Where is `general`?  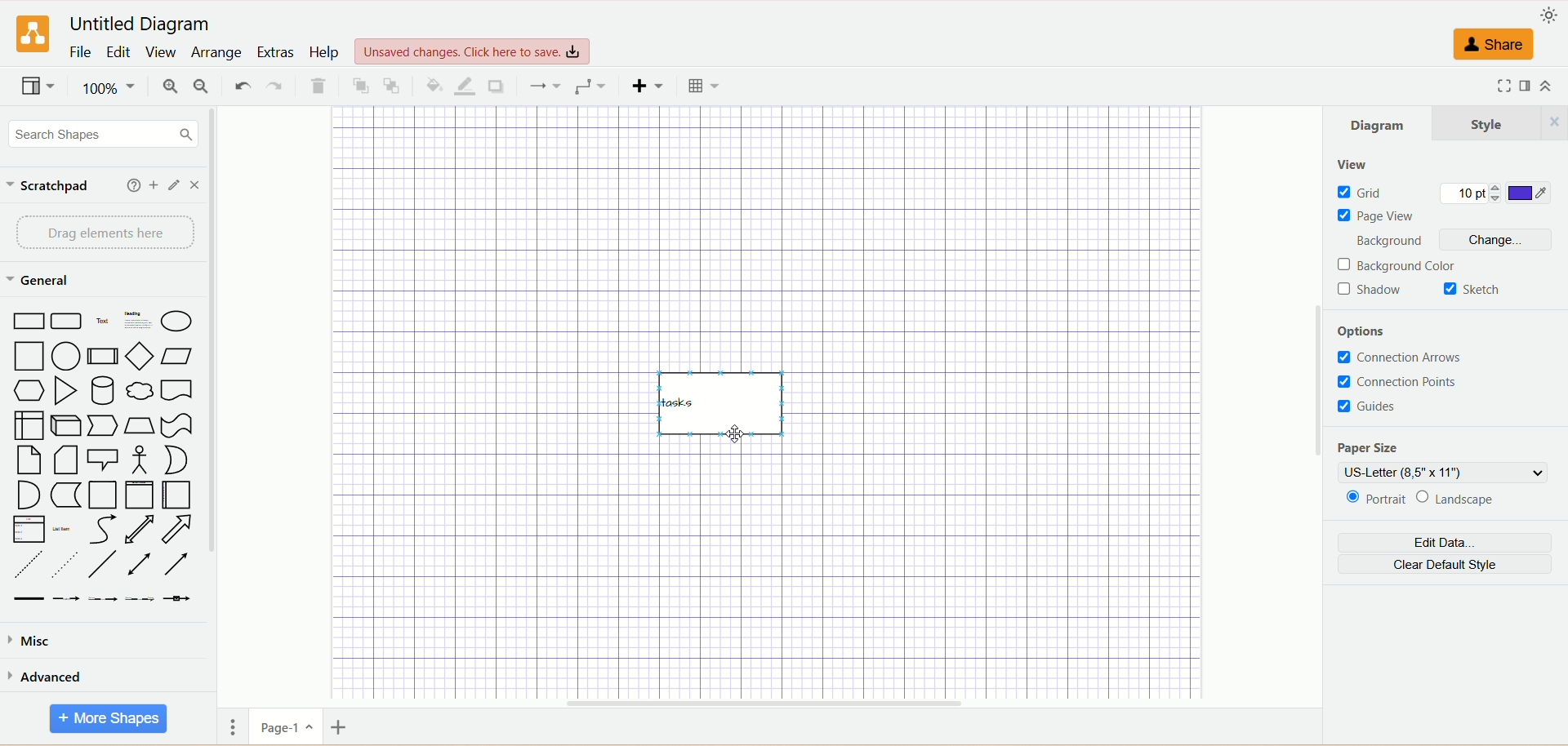
general is located at coordinates (43, 281).